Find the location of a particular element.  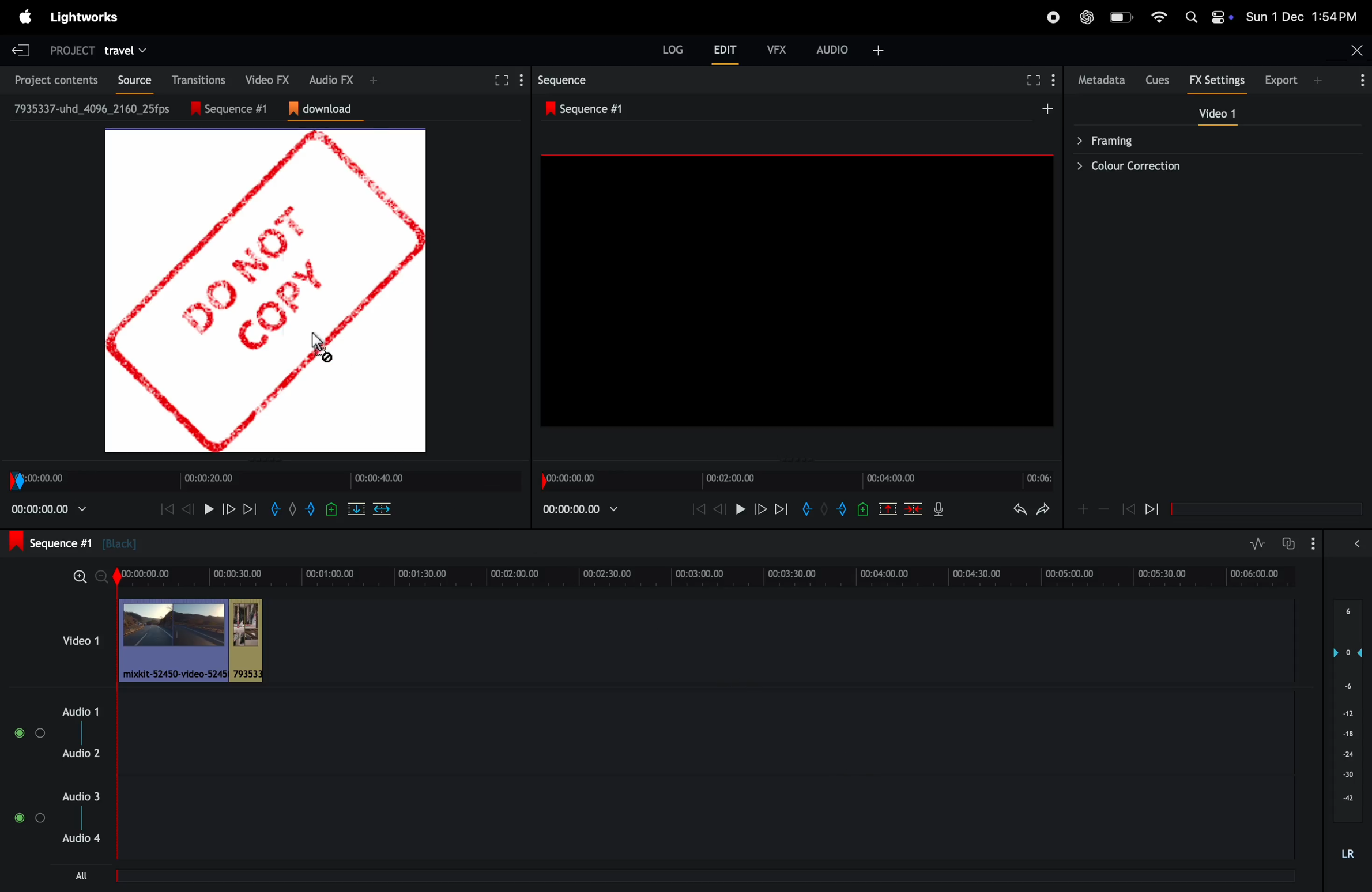

audio 3 is located at coordinates (79, 796).